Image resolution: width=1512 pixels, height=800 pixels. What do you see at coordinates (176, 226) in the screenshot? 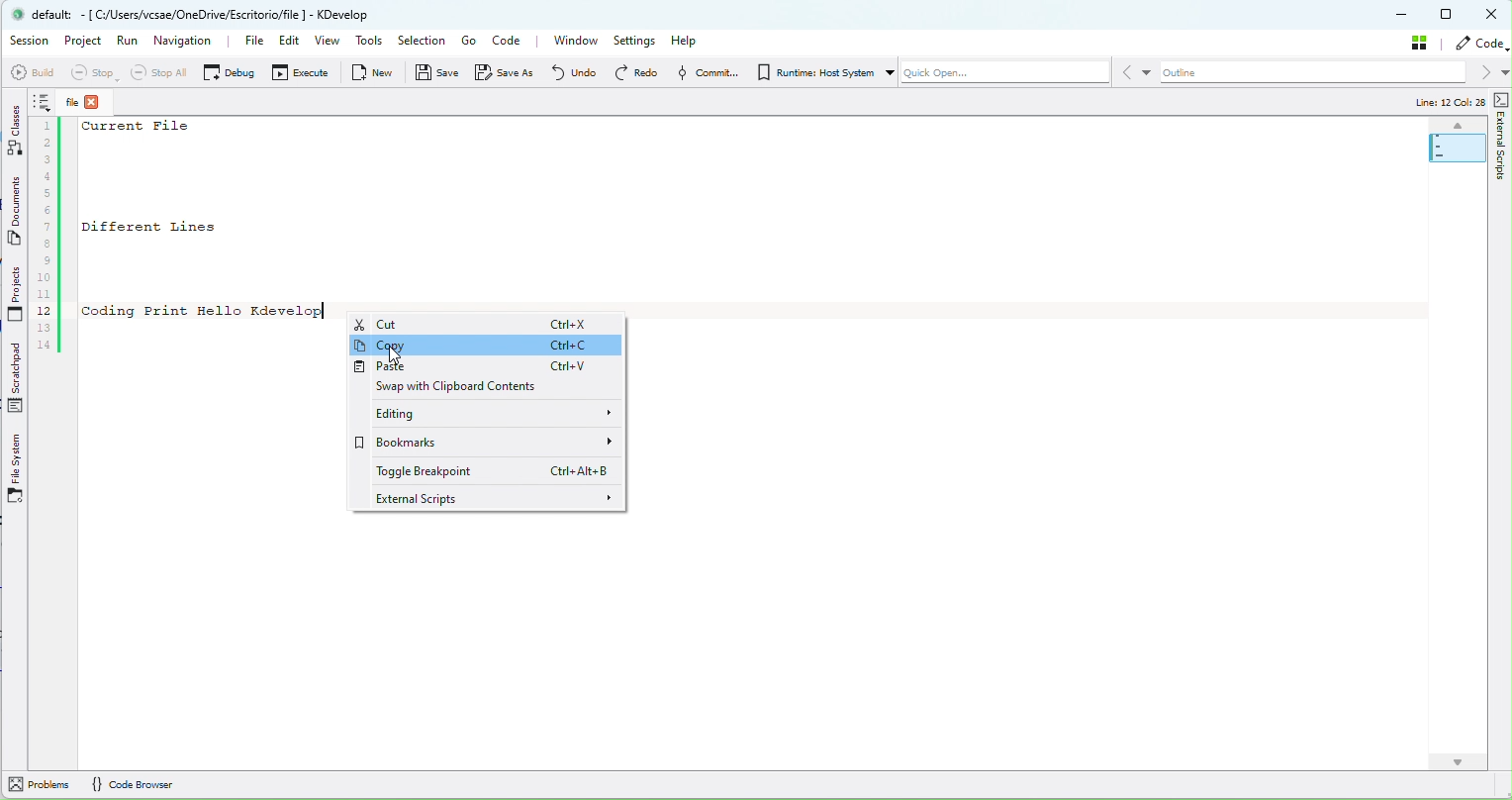
I see `Different Lines` at bounding box center [176, 226].